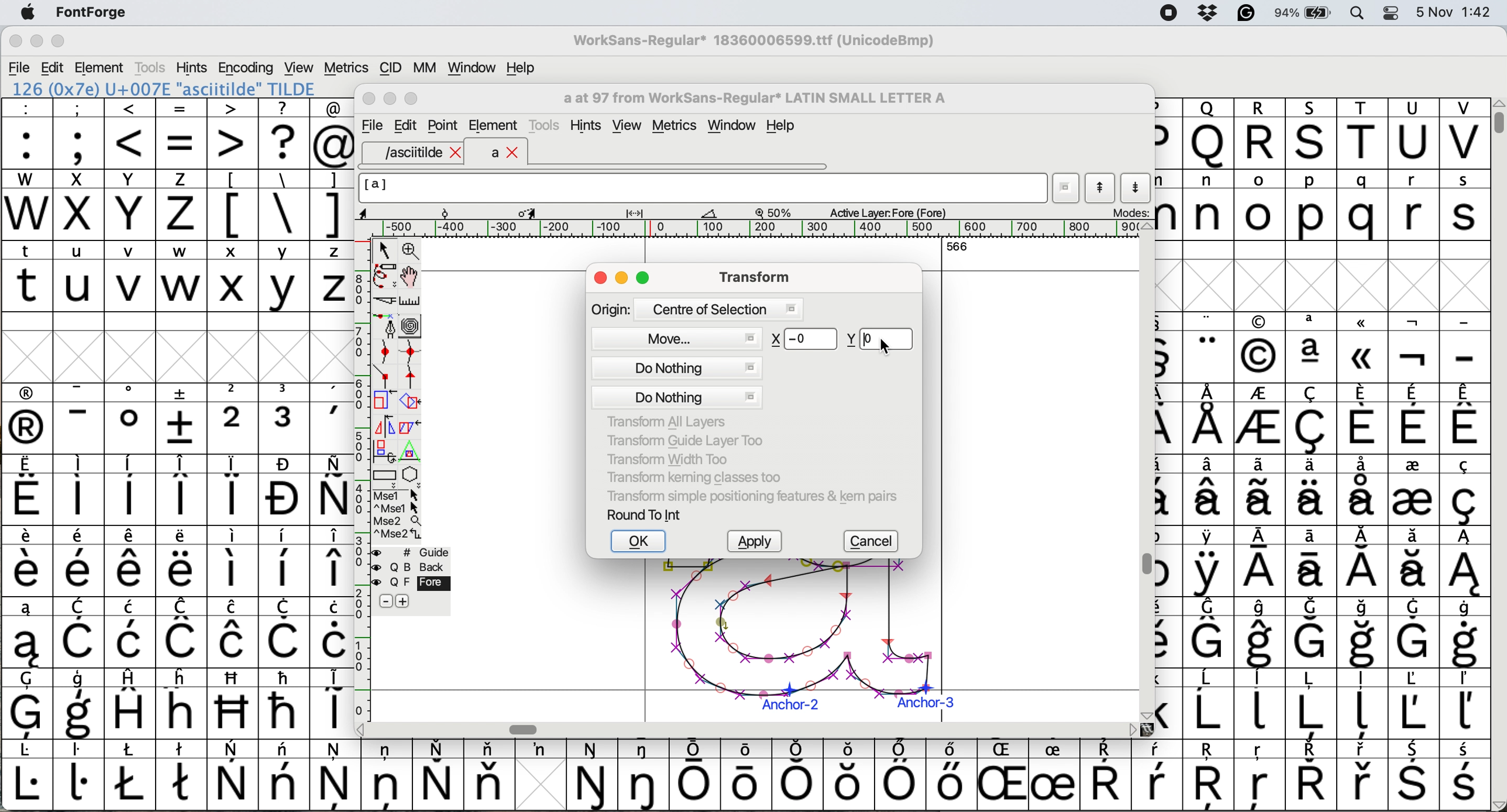 The height and width of the screenshot is (812, 1507). What do you see at coordinates (645, 514) in the screenshot?
I see `round to int` at bounding box center [645, 514].